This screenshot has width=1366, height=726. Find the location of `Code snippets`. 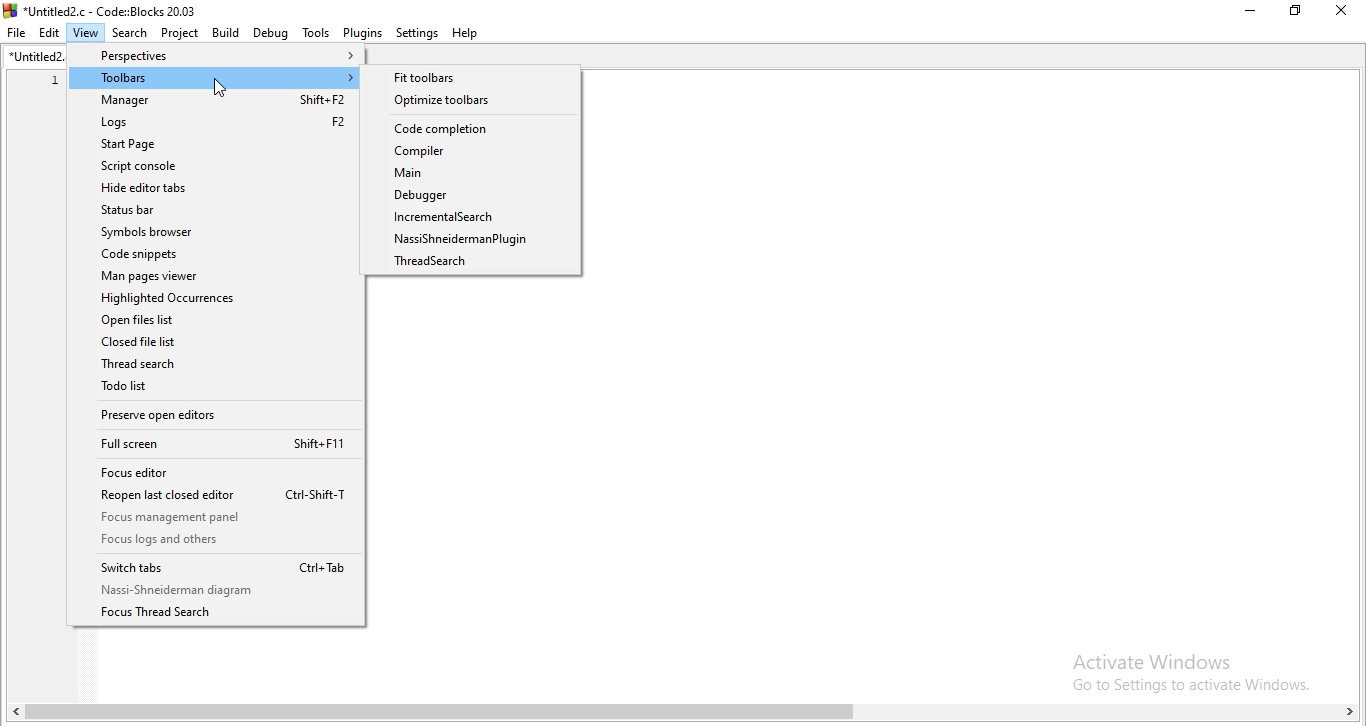

Code snippets is located at coordinates (210, 255).